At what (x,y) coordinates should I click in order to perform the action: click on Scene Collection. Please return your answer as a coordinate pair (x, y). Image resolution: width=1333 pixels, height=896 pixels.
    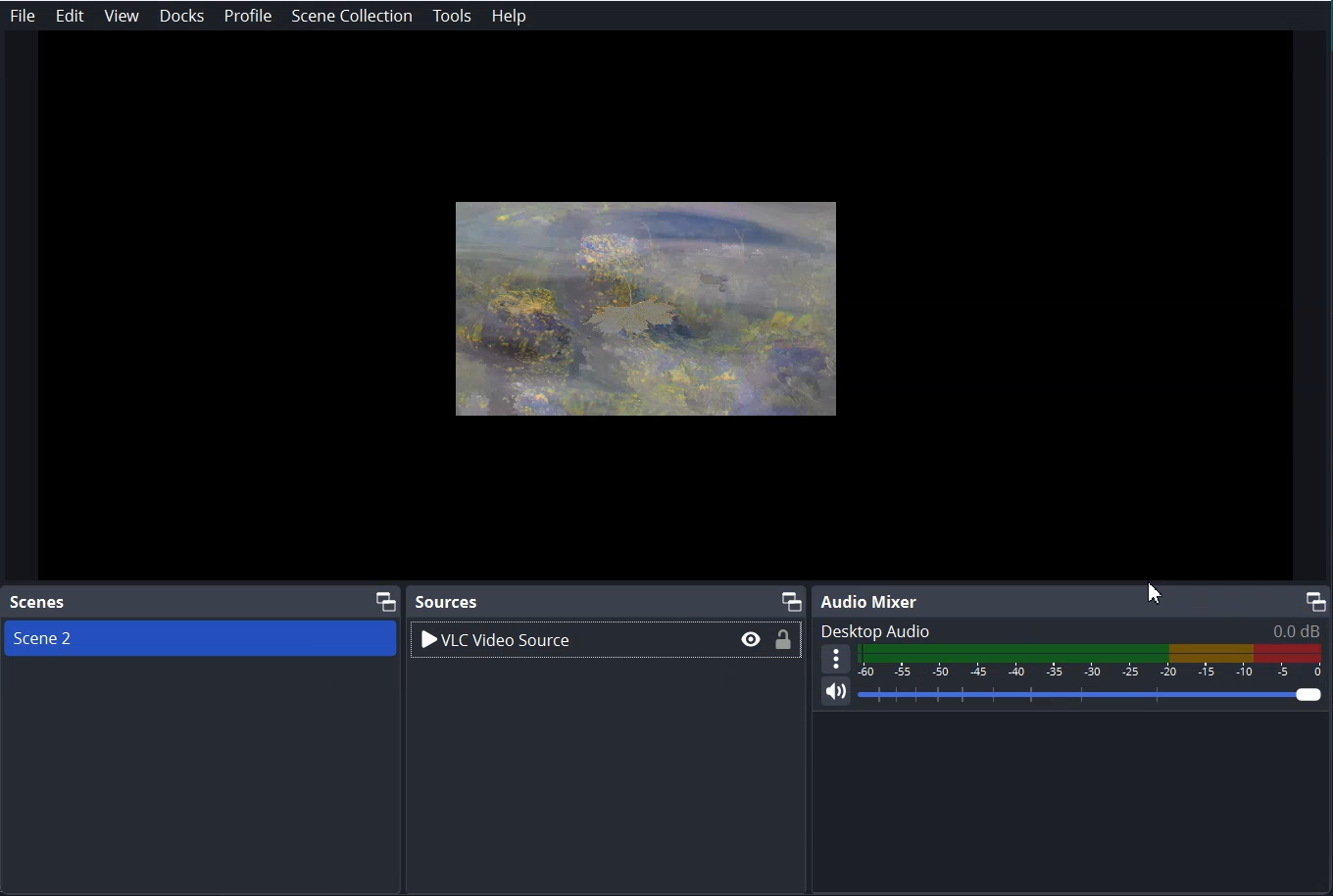
    Looking at the image, I should click on (351, 16).